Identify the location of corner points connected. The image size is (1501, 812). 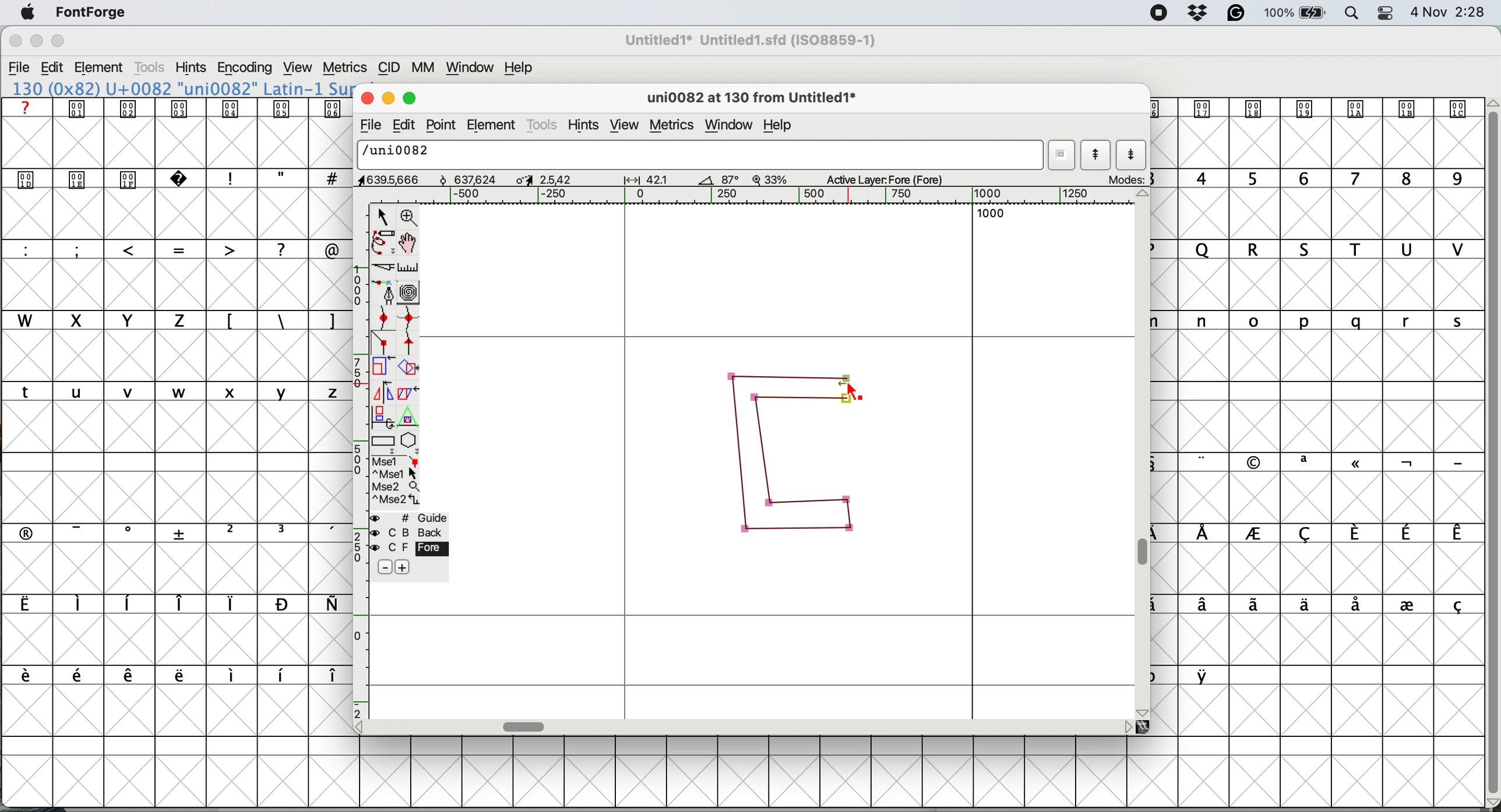
(762, 457).